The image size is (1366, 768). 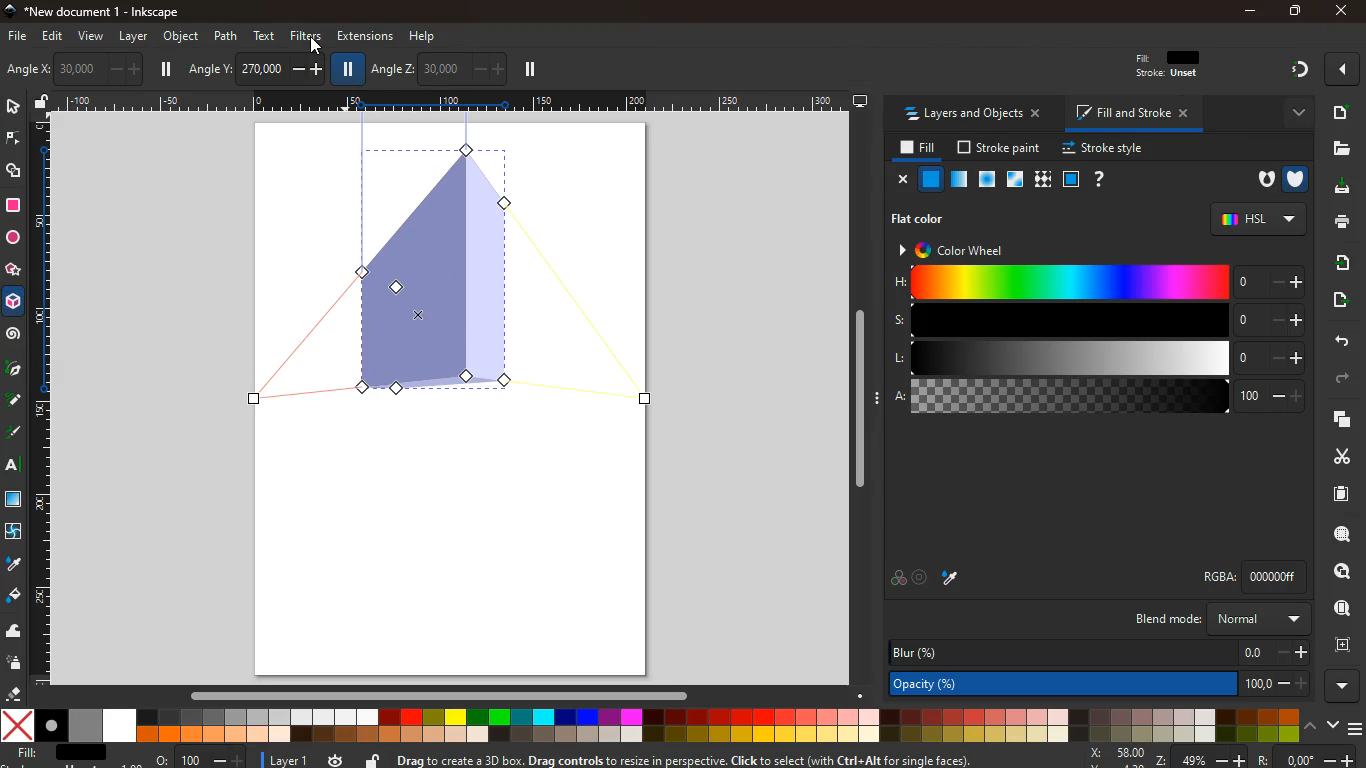 I want to click on path, so click(x=226, y=35).